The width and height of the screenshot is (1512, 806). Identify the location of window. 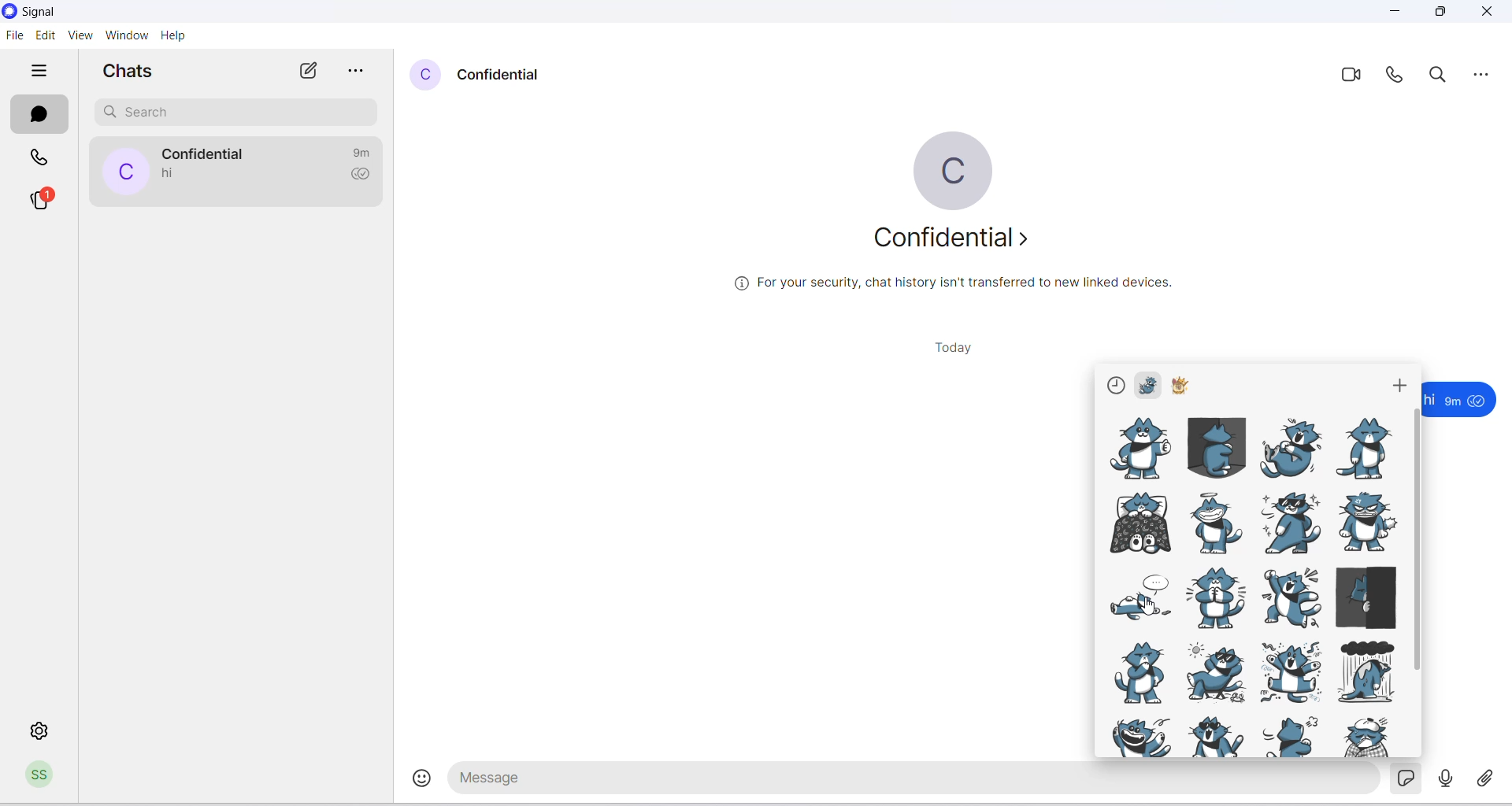
(126, 35).